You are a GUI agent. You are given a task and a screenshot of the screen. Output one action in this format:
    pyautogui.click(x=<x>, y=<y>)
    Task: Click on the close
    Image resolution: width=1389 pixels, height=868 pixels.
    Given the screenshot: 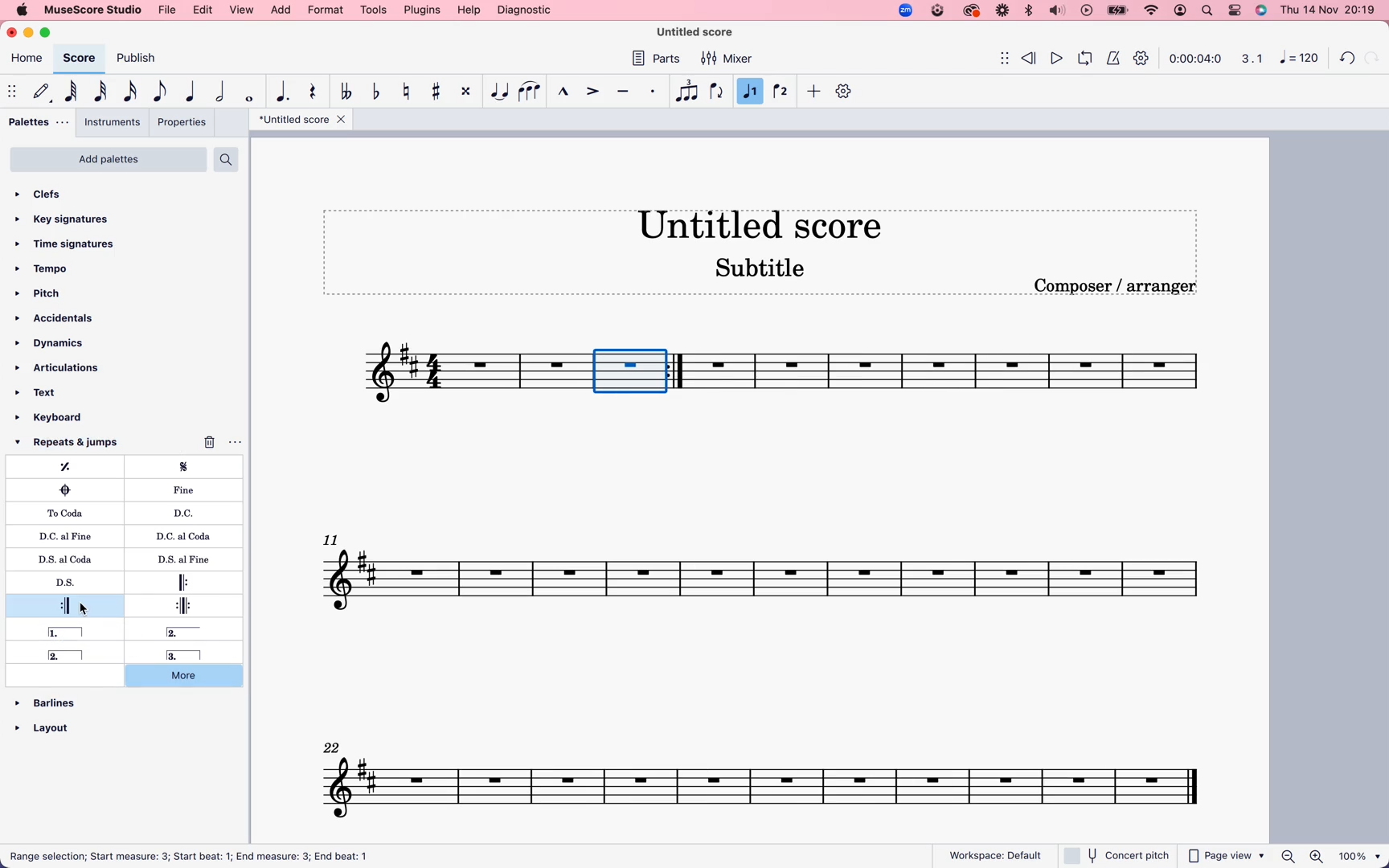 What is the action you would take?
    pyautogui.click(x=14, y=31)
    